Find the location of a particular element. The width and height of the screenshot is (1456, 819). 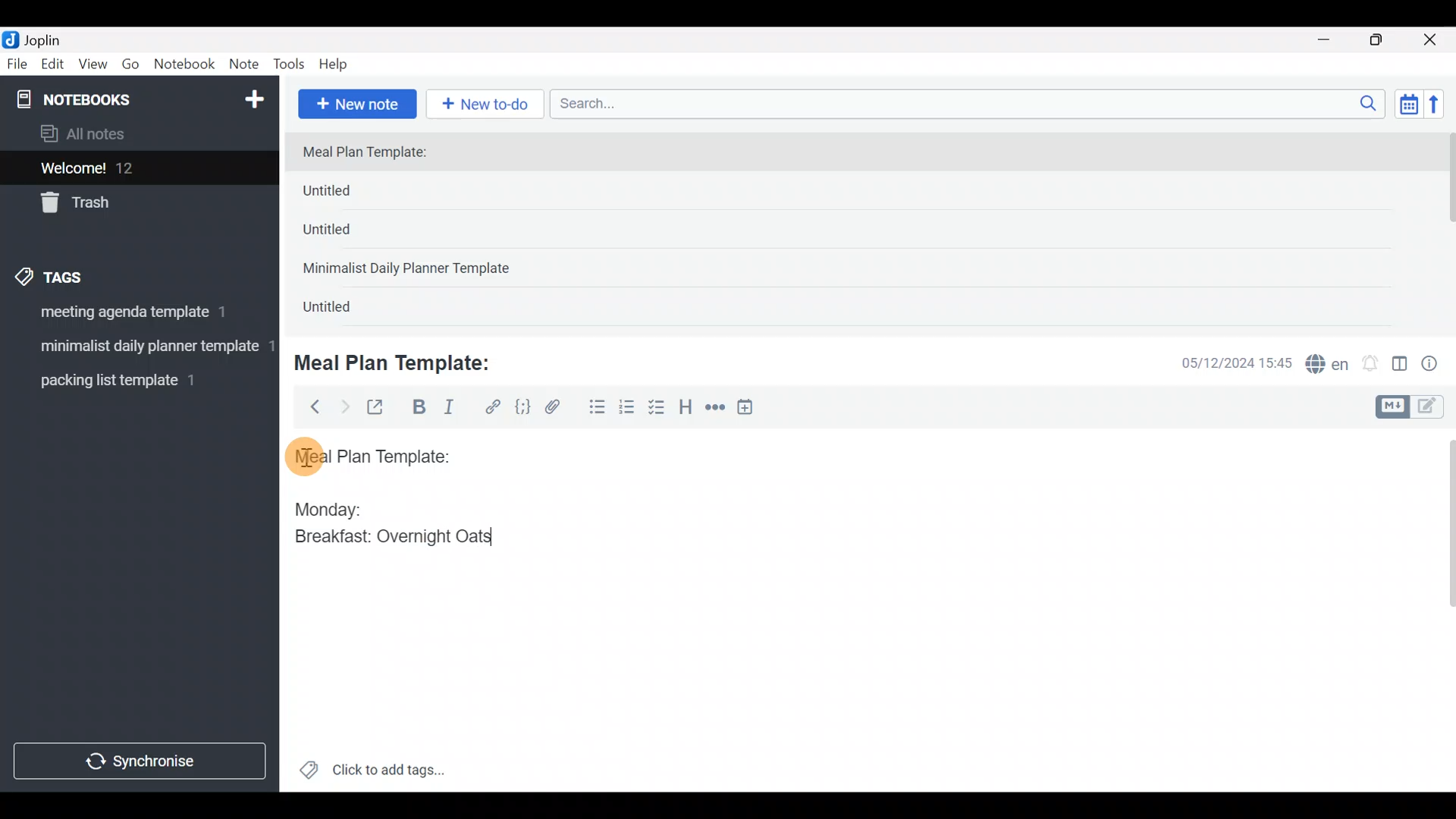

Click to add tags is located at coordinates (372, 775).